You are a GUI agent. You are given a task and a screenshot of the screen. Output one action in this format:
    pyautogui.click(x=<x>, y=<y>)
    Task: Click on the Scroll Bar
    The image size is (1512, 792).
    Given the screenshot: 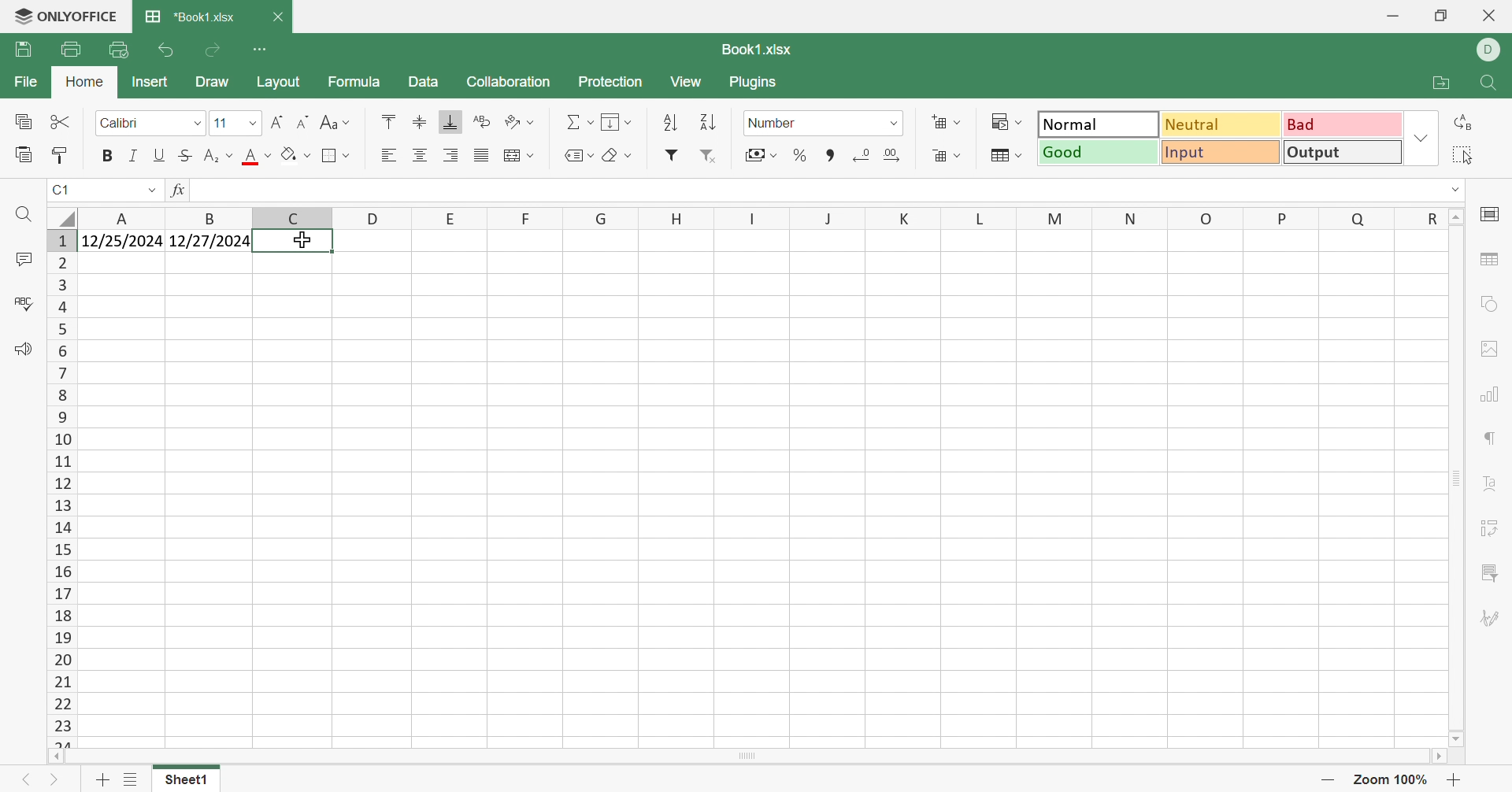 What is the action you would take?
    pyautogui.click(x=1456, y=480)
    